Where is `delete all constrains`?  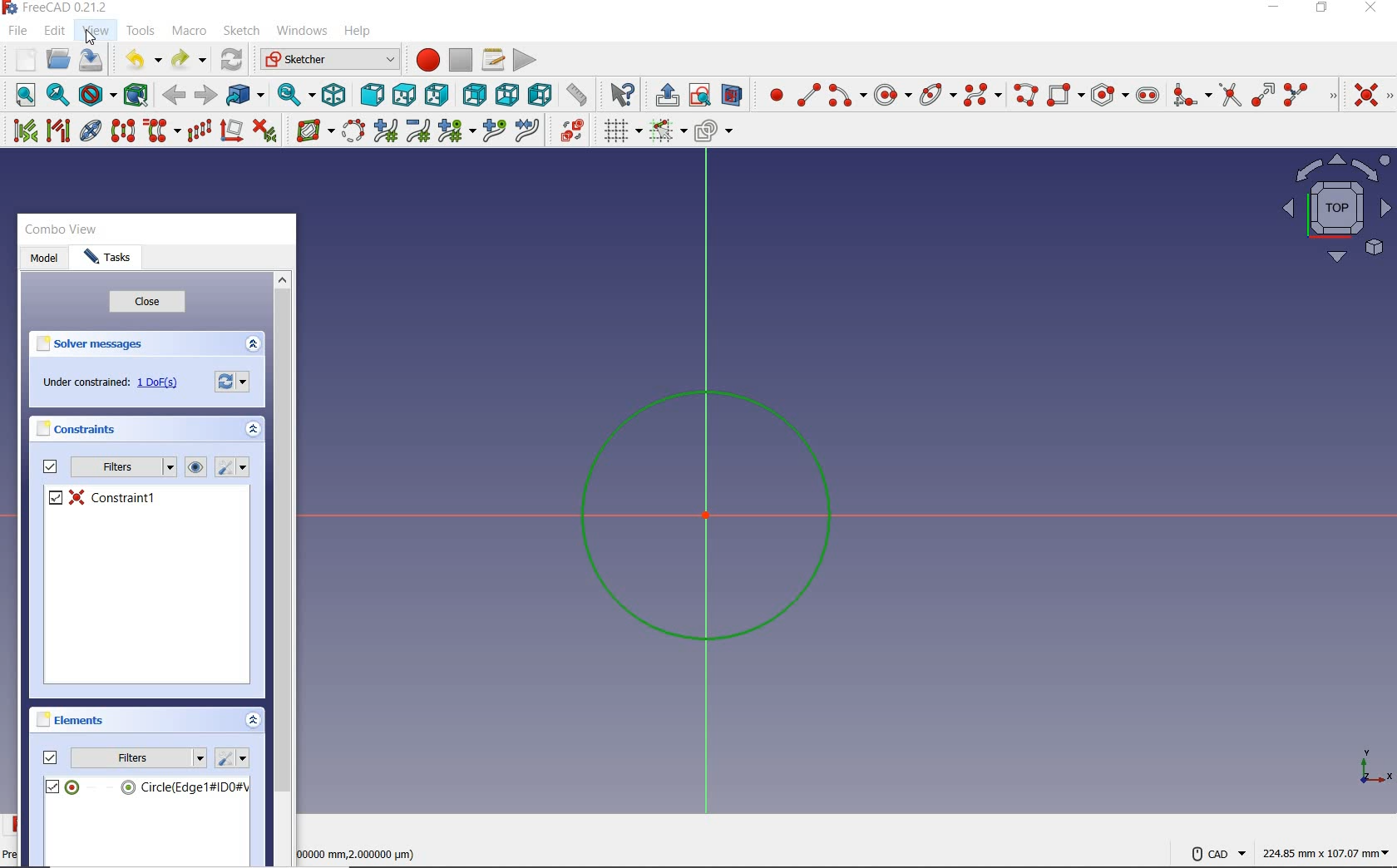 delete all constrains is located at coordinates (264, 131).